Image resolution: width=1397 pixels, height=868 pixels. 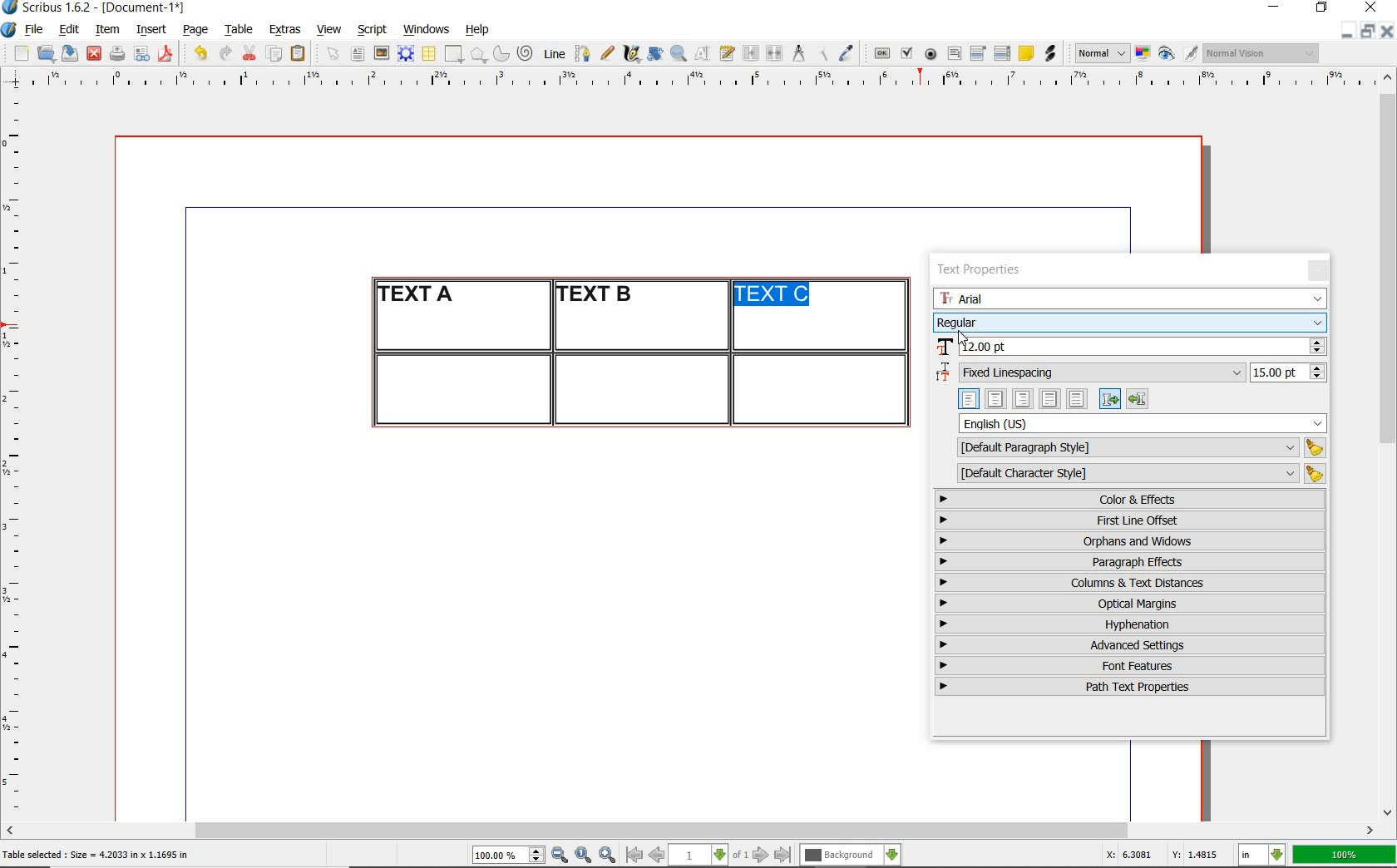 What do you see at coordinates (1276, 8) in the screenshot?
I see `minimize` at bounding box center [1276, 8].